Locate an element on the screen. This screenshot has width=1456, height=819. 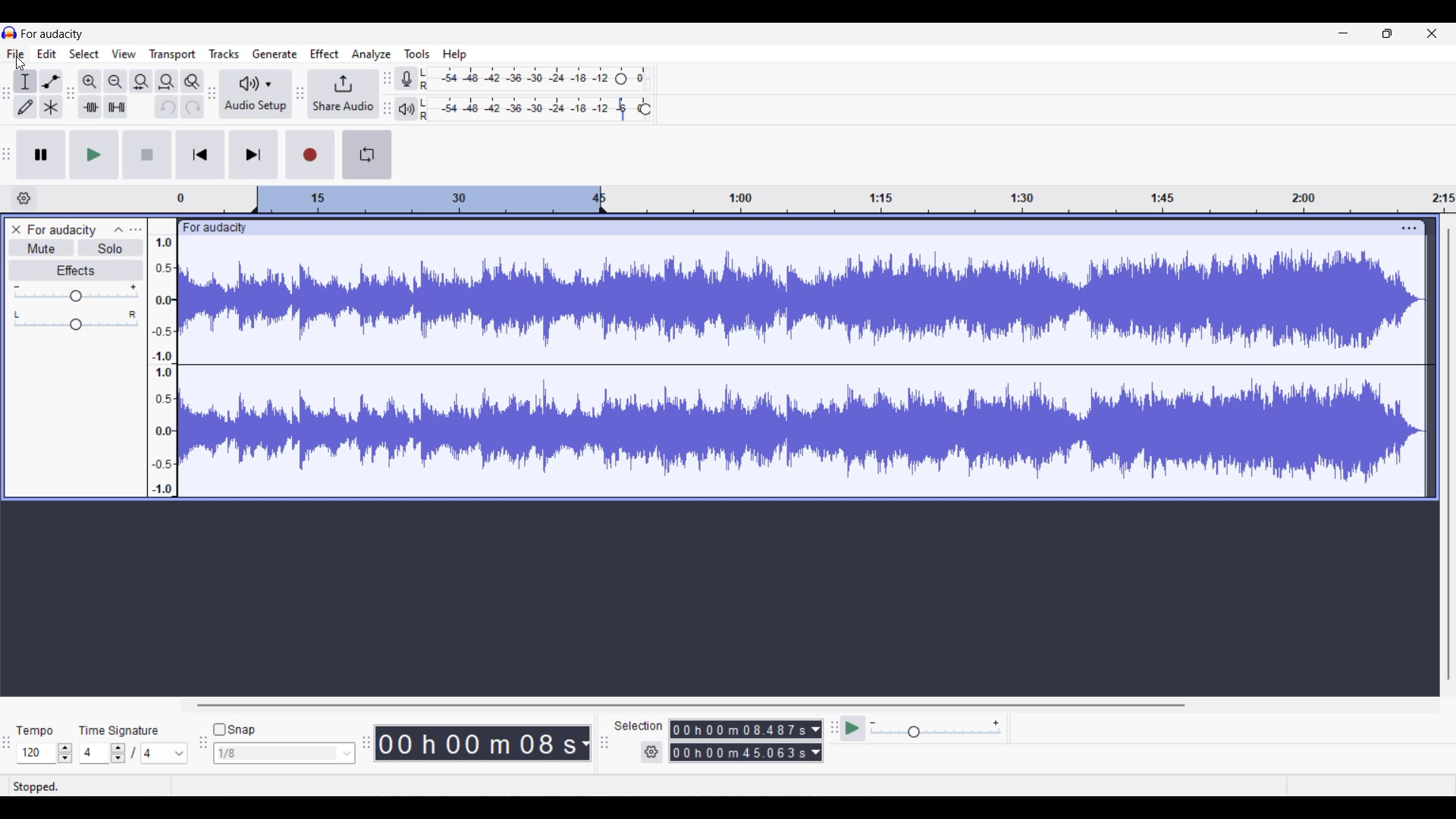
Record/Record new track is located at coordinates (311, 155).